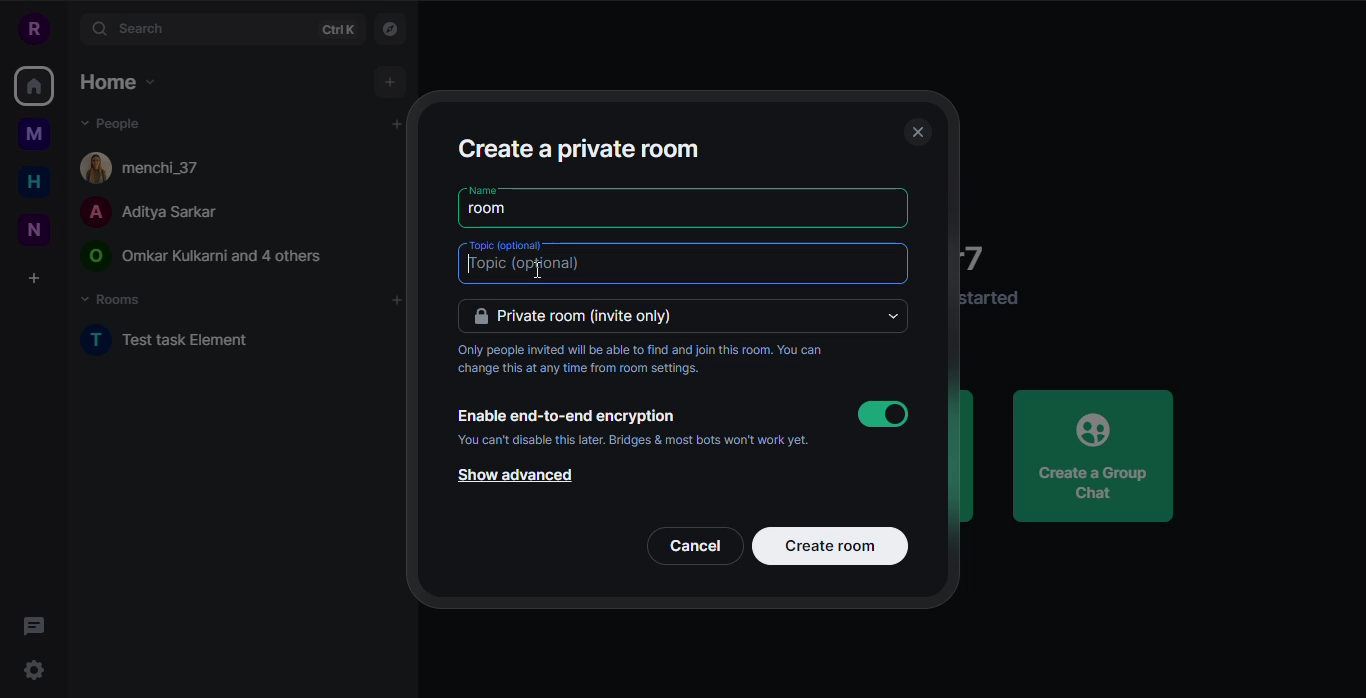 Image resolution: width=1366 pixels, height=698 pixels. Describe the element at coordinates (831, 545) in the screenshot. I see `create room` at that location.